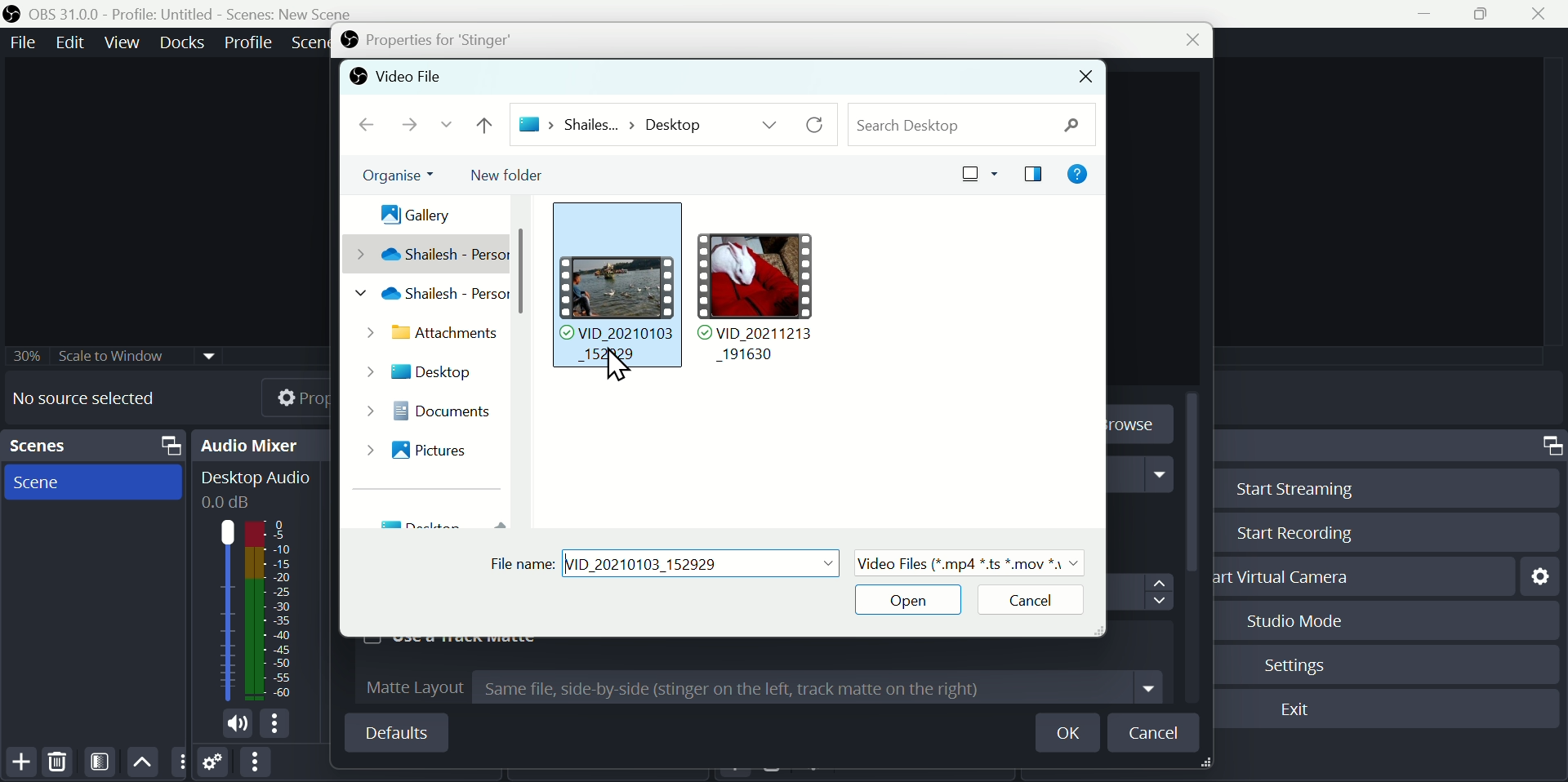 Image resolution: width=1568 pixels, height=782 pixels. What do you see at coordinates (909, 602) in the screenshot?
I see `open` at bounding box center [909, 602].